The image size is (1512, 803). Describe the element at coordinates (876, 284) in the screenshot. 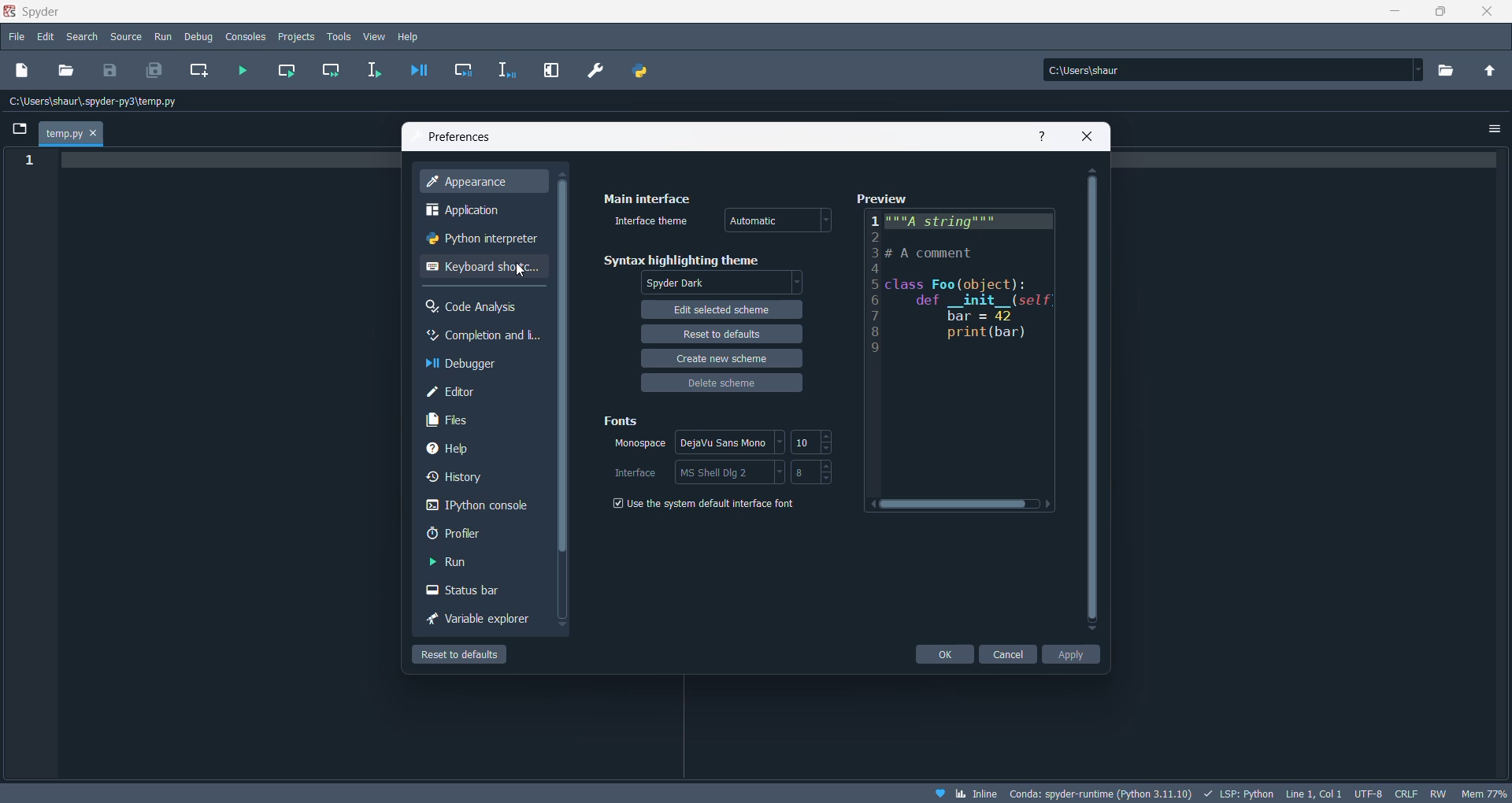

I see `preview line numbers ` at that location.